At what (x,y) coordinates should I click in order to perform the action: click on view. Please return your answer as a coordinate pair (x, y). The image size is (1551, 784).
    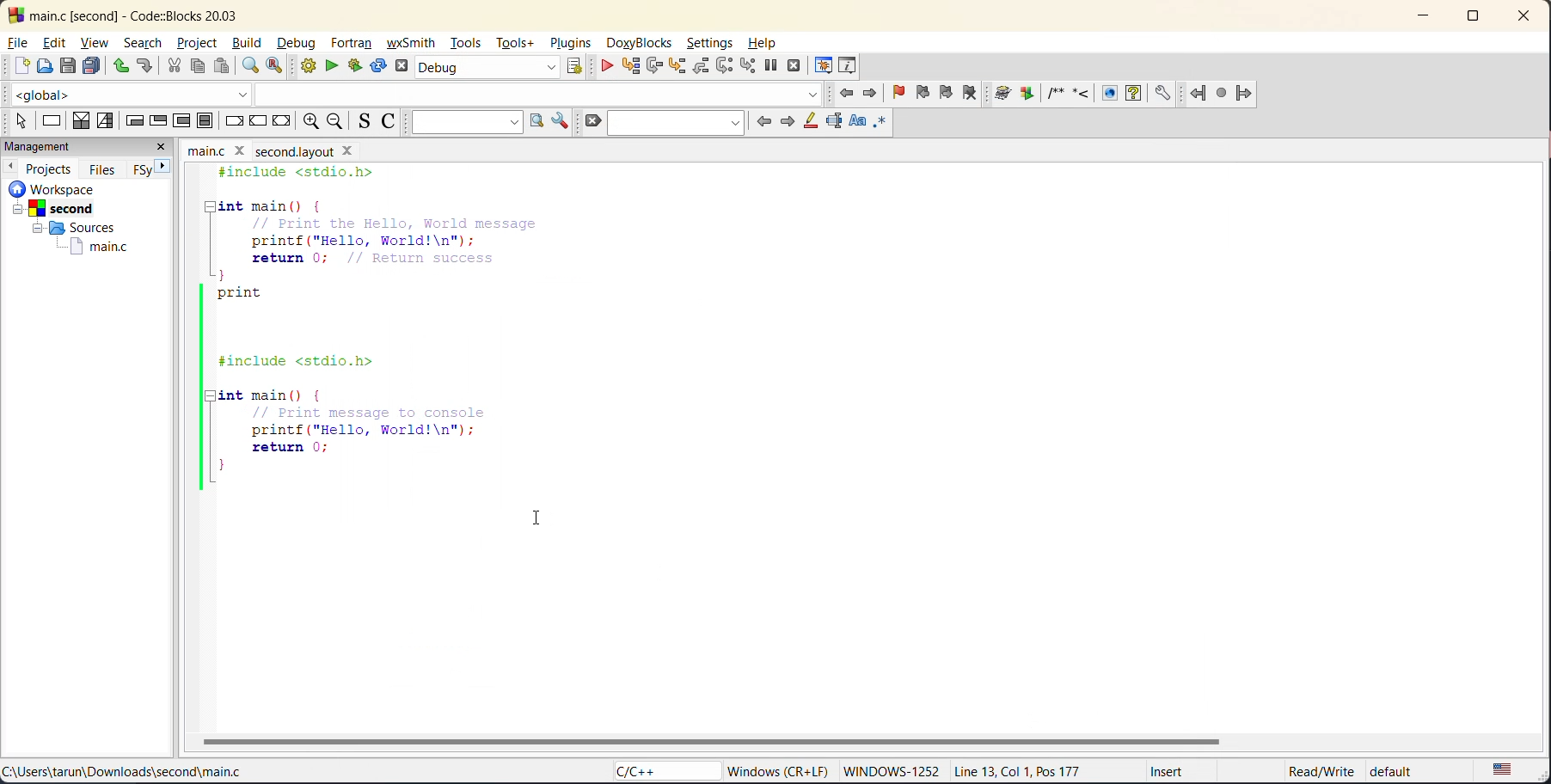
    Looking at the image, I should click on (97, 42).